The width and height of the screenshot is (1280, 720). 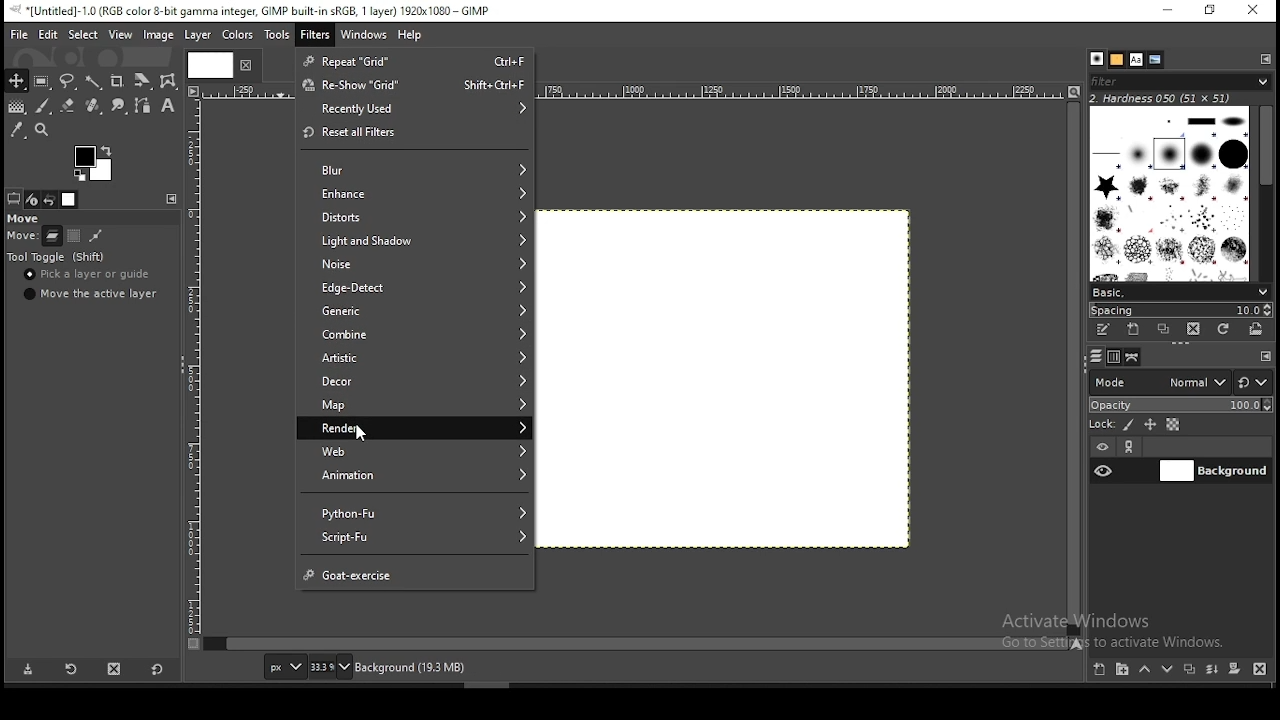 I want to click on tool toggle, so click(x=59, y=258).